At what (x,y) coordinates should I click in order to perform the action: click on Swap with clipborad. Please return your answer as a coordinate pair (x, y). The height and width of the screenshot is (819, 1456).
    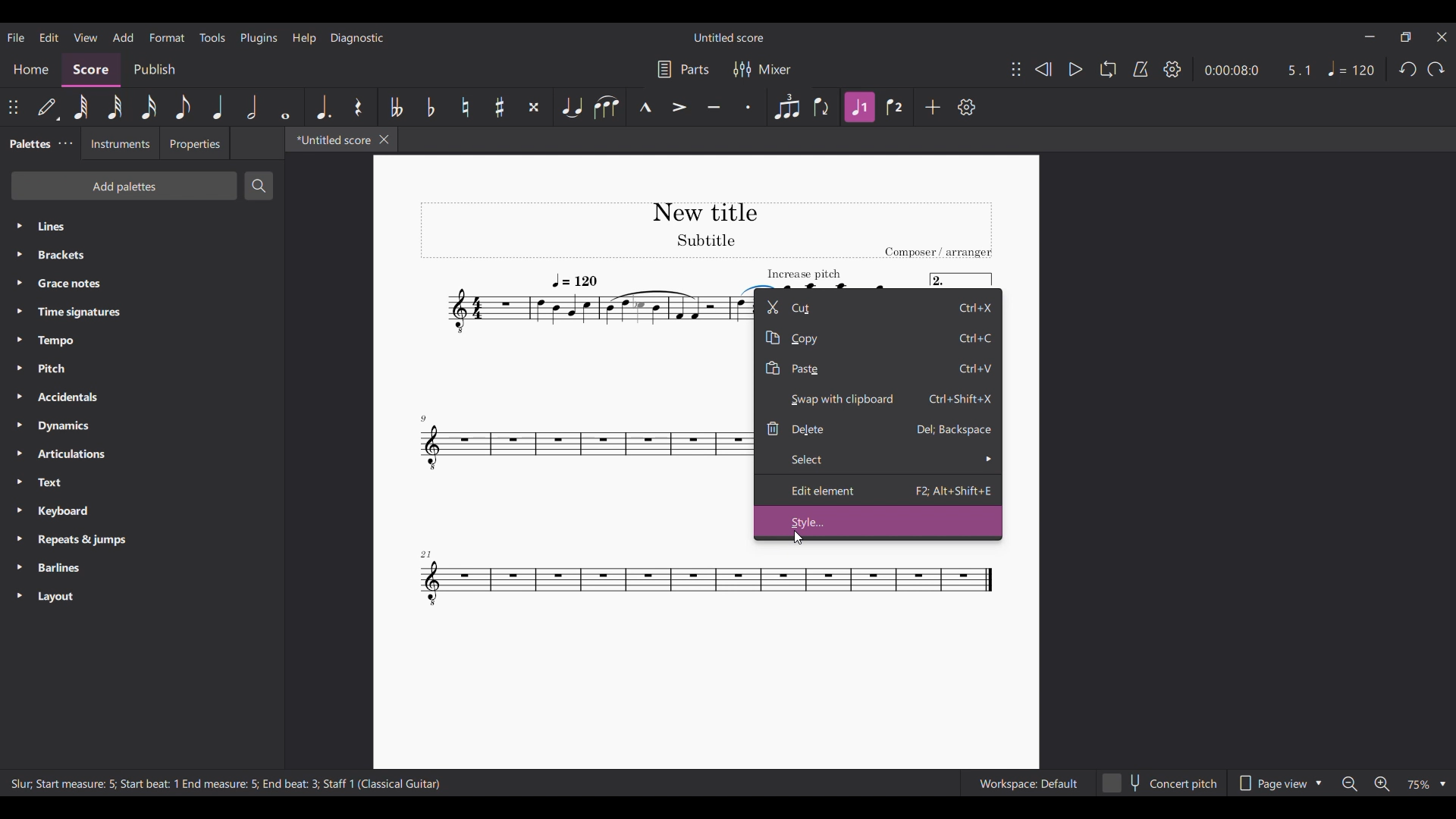
    Looking at the image, I should click on (878, 400).